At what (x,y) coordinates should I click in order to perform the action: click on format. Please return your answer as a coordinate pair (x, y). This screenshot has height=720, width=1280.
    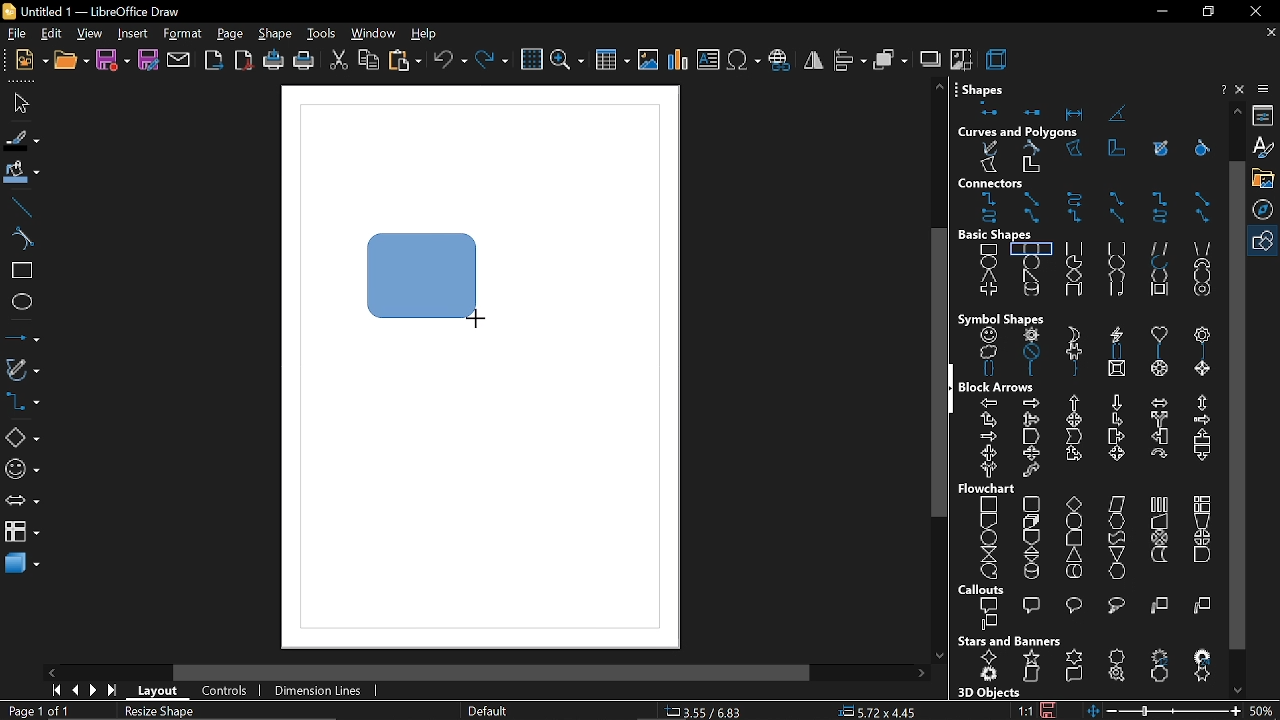
    Looking at the image, I should click on (182, 35).